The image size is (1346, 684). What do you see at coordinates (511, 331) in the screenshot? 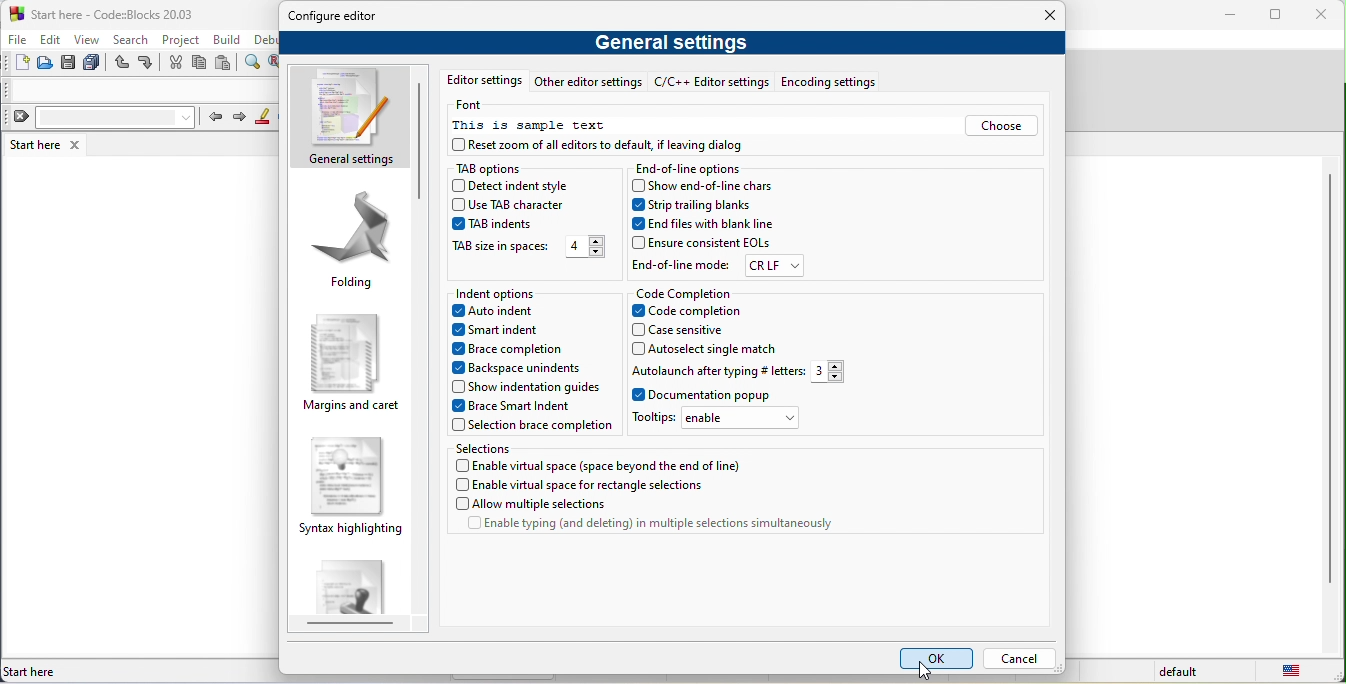
I see `smart indent` at bounding box center [511, 331].